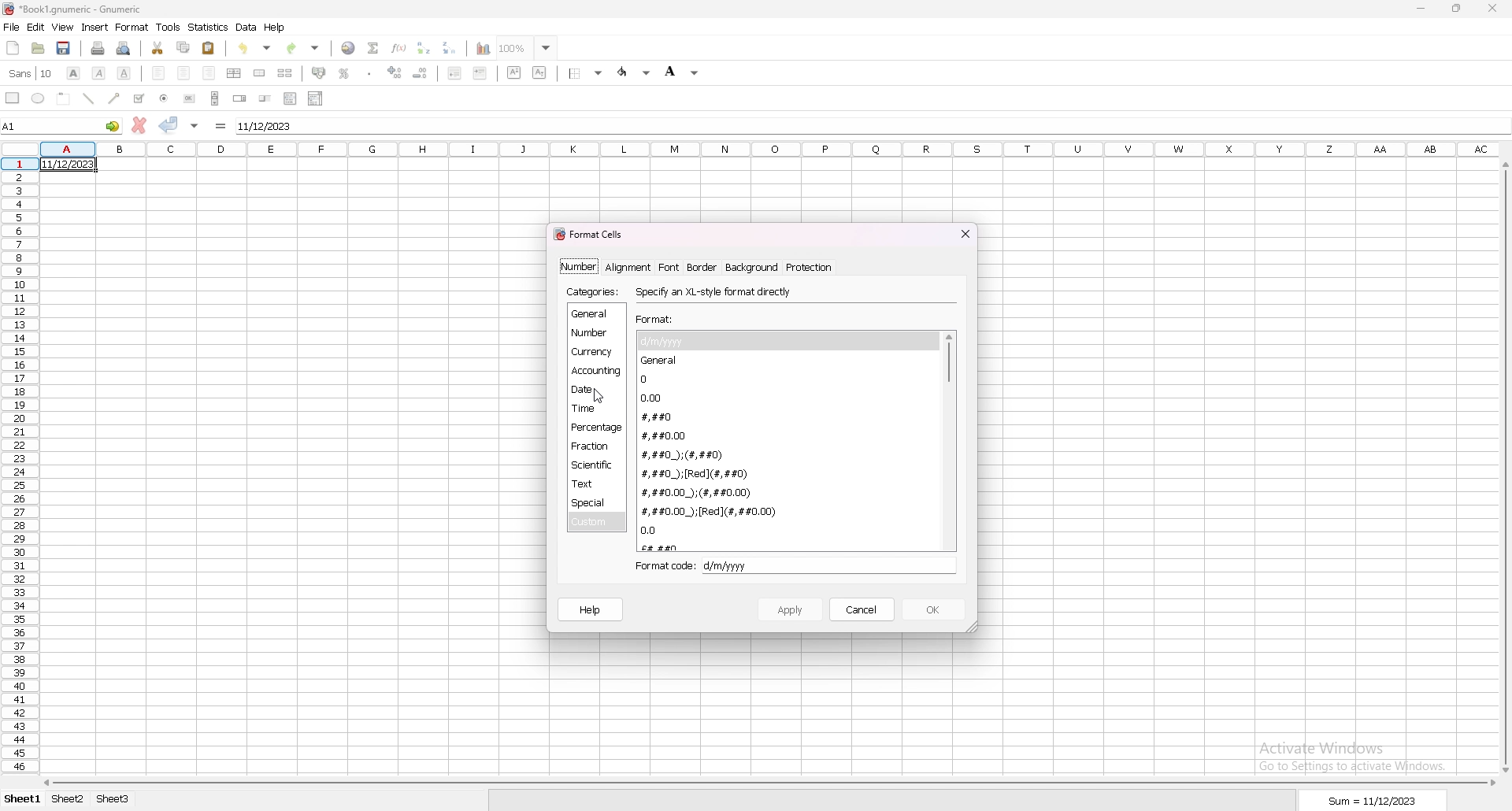  Describe the element at coordinates (246, 28) in the screenshot. I see `data` at that location.